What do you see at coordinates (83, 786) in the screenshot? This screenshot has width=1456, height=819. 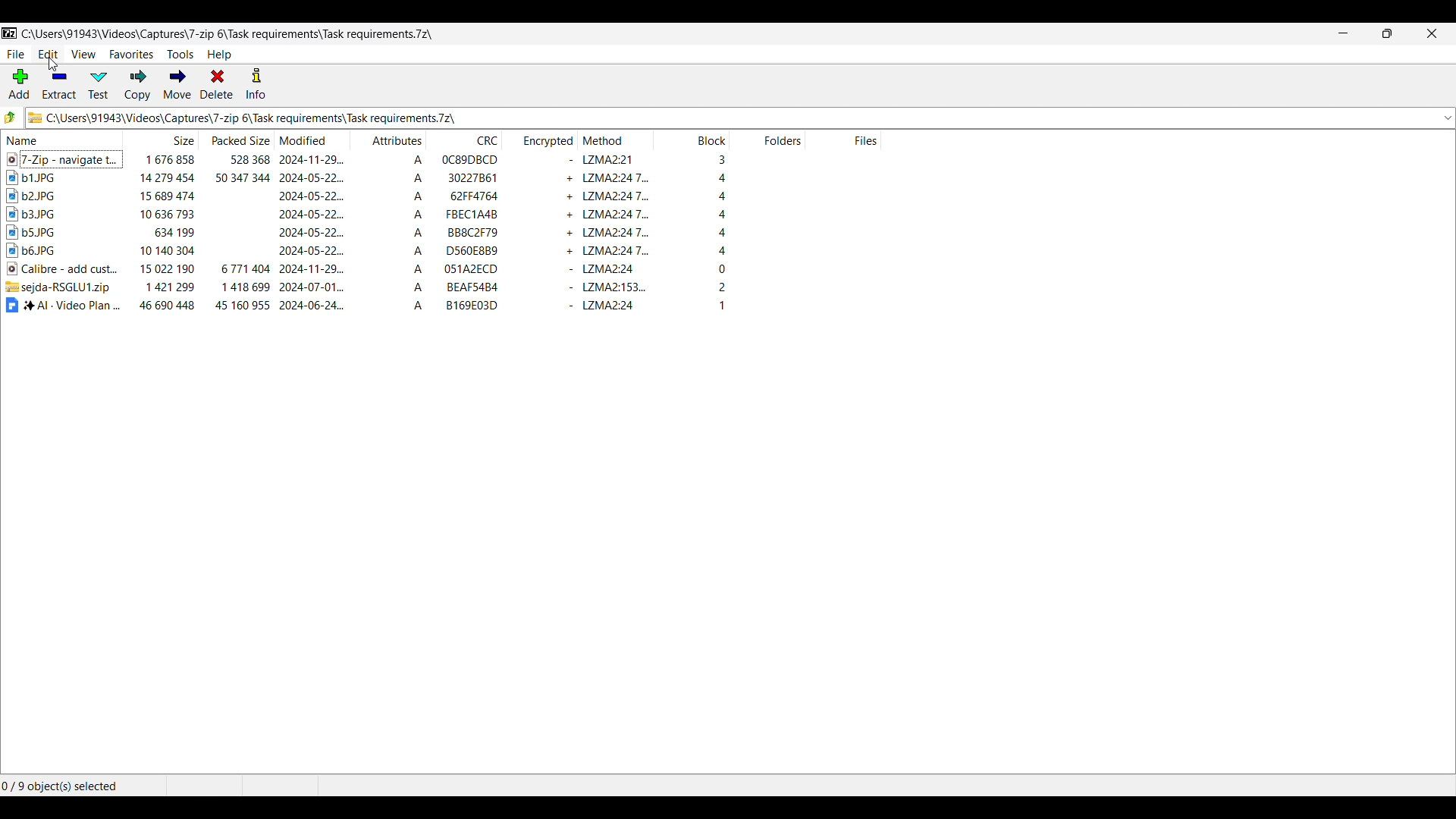 I see `Selected files and folders out of the total number of files and folders in the current folder` at bounding box center [83, 786].